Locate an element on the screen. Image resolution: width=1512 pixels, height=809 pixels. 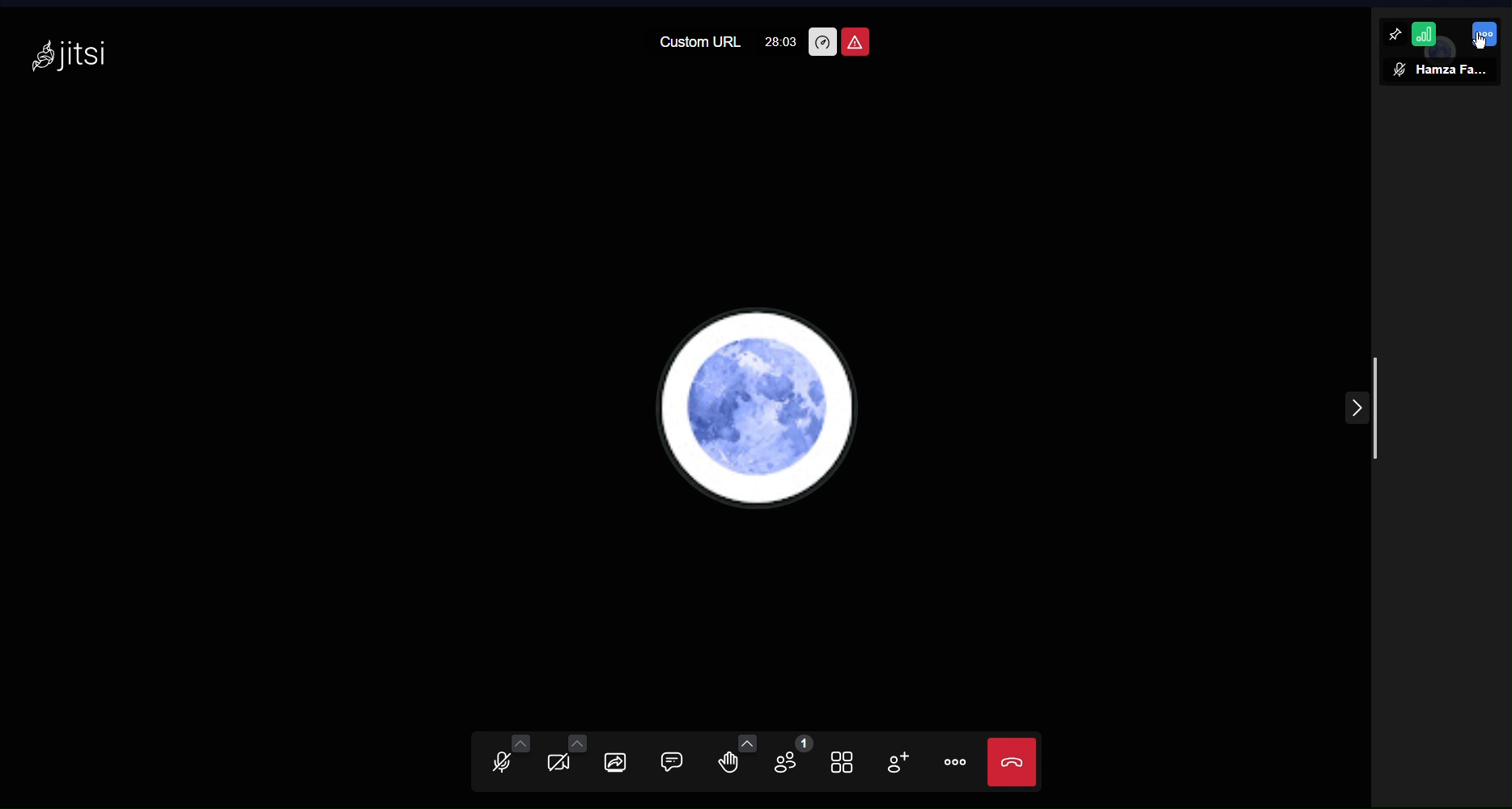
cursor is located at coordinates (1480, 43).